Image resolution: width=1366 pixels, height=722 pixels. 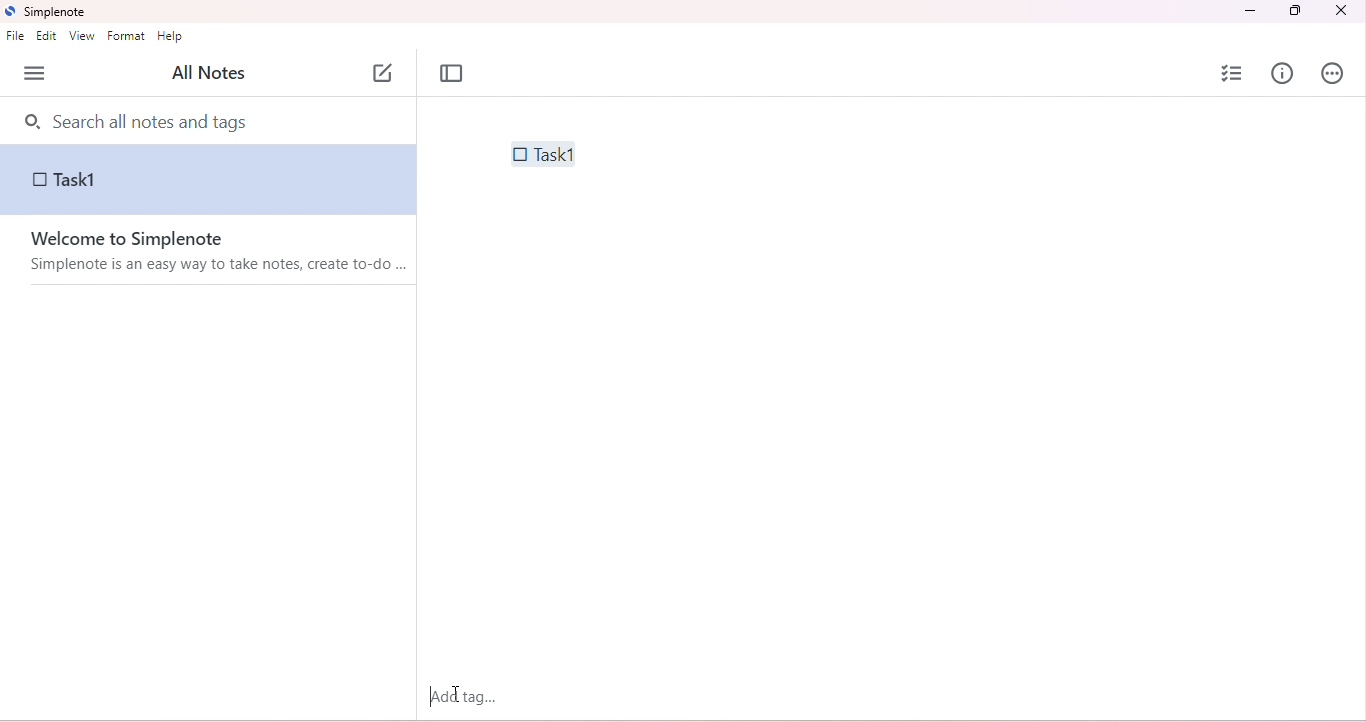 I want to click on all notes, so click(x=207, y=74).